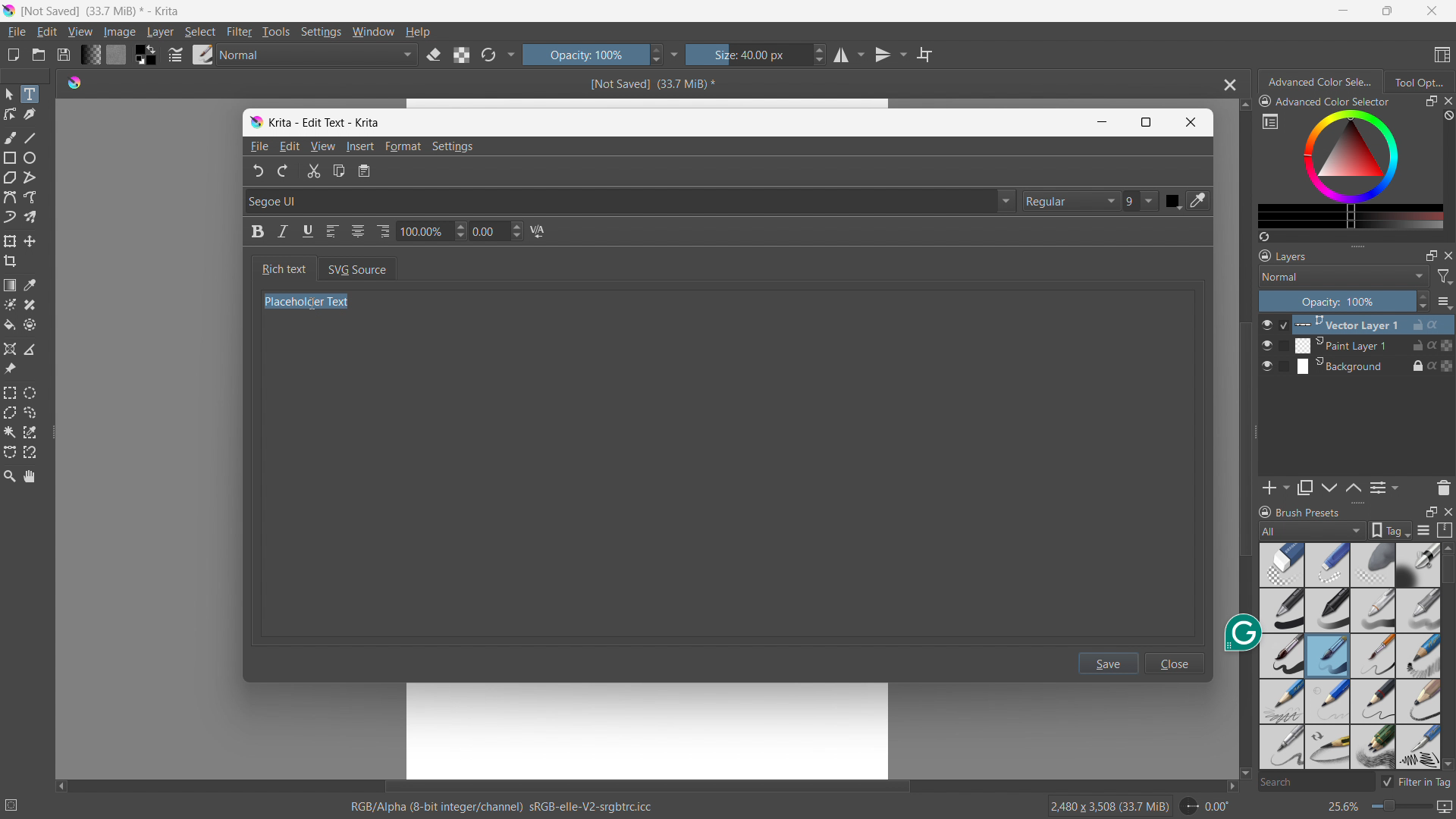 This screenshot has width=1456, height=819. What do you see at coordinates (10, 349) in the screenshot?
I see `assistant tool` at bounding box center [10, 349].